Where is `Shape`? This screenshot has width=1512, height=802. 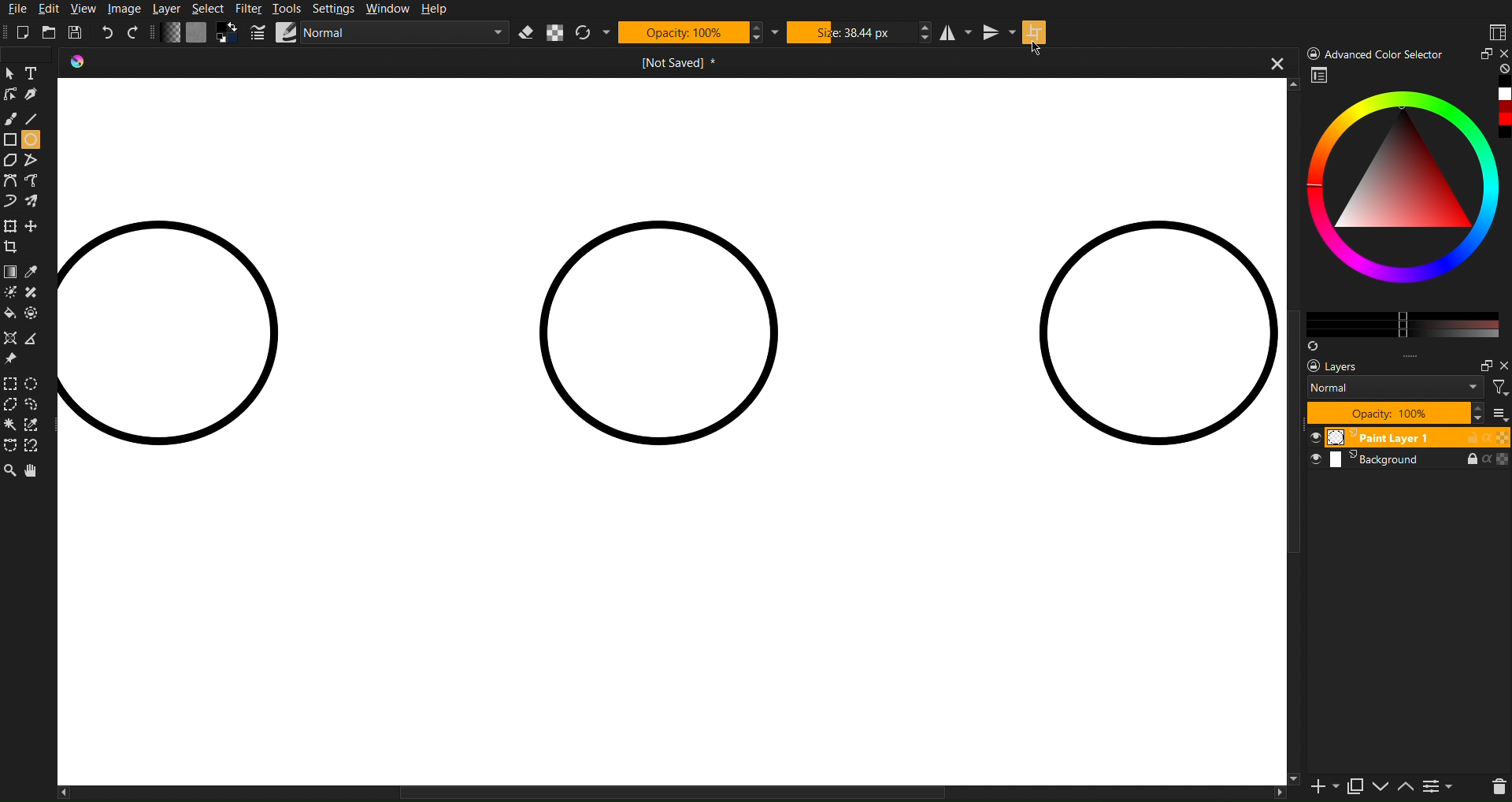 Shape is located at coordinates (9, 338).